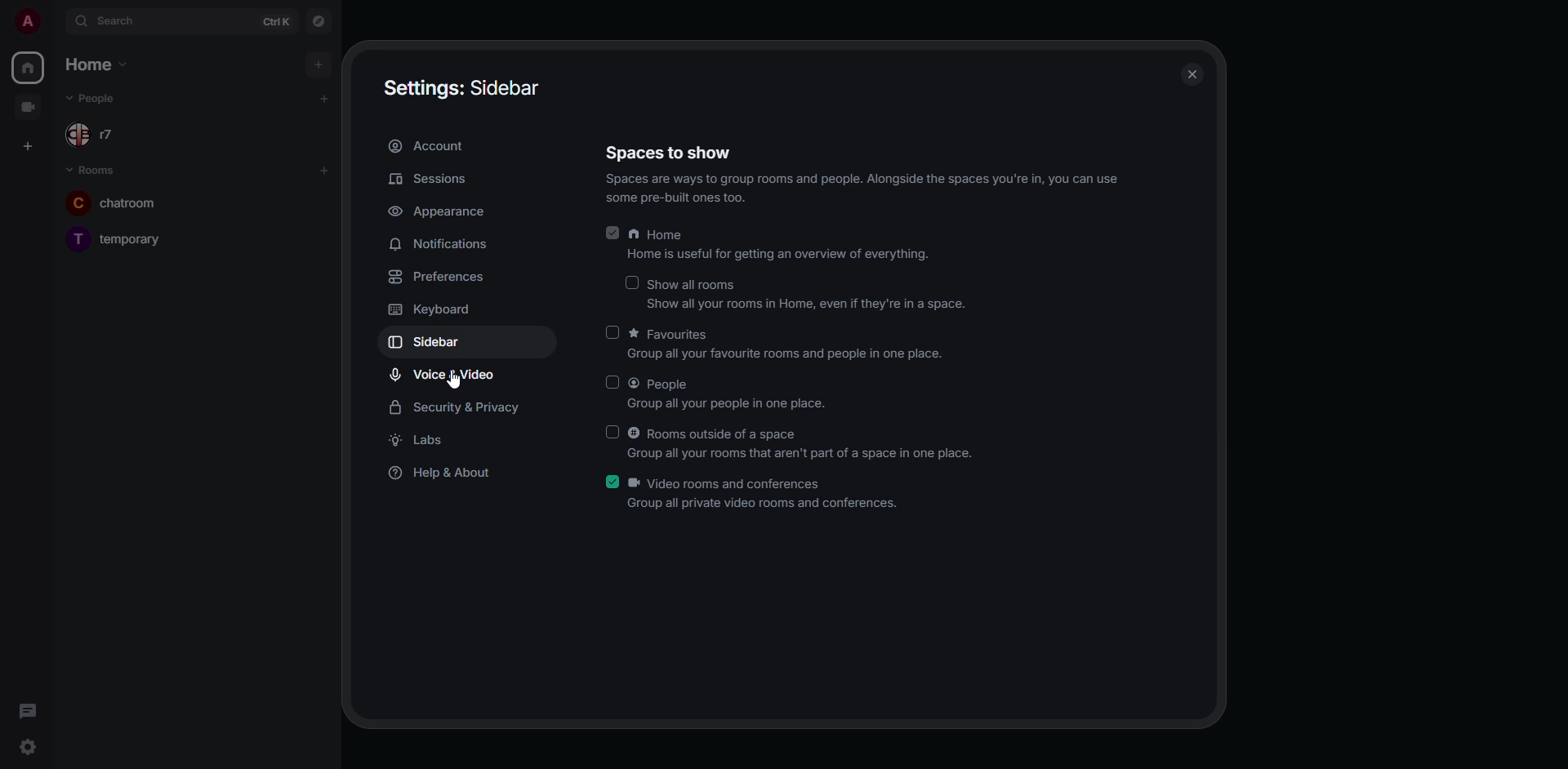 This screenshot has height=769, width=1568. Describe the element at coordinates (425, 442) in the screenshot. I see `labs` at that location.